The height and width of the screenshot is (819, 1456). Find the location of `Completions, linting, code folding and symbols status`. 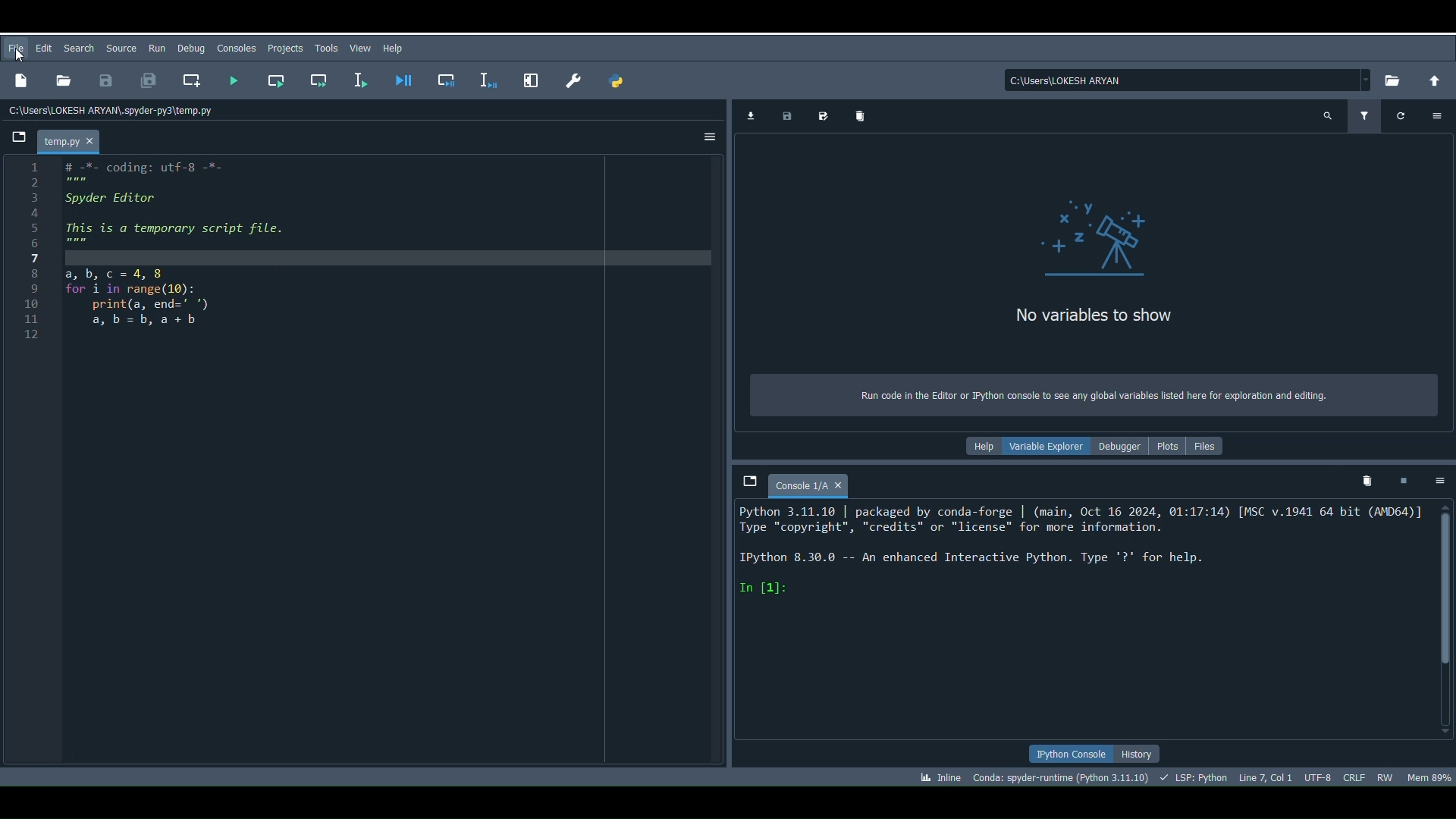

Completions, linting, code folding and symbols status is located at coordinates (1196, 776).